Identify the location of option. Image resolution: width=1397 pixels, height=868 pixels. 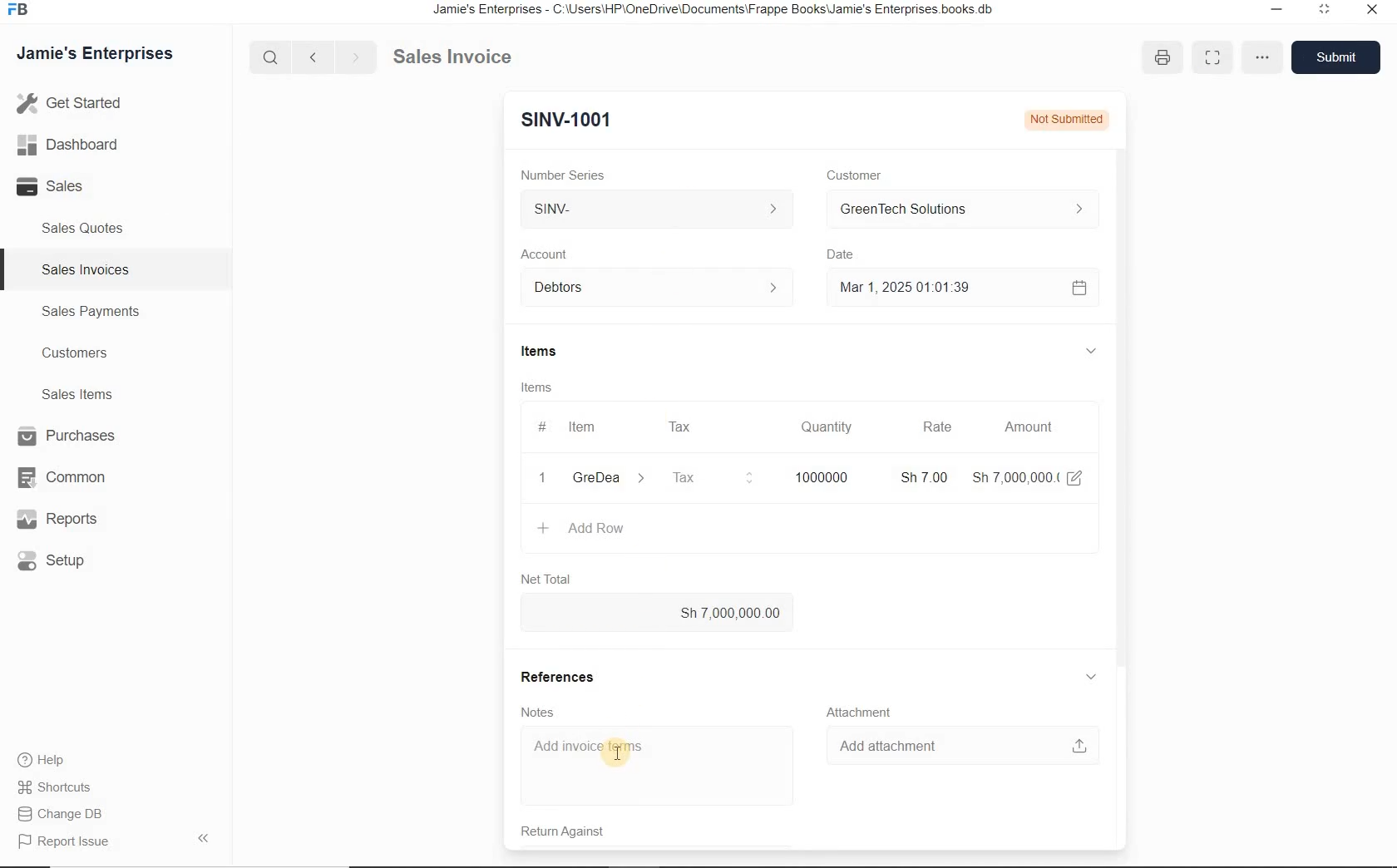
(1260, 56).